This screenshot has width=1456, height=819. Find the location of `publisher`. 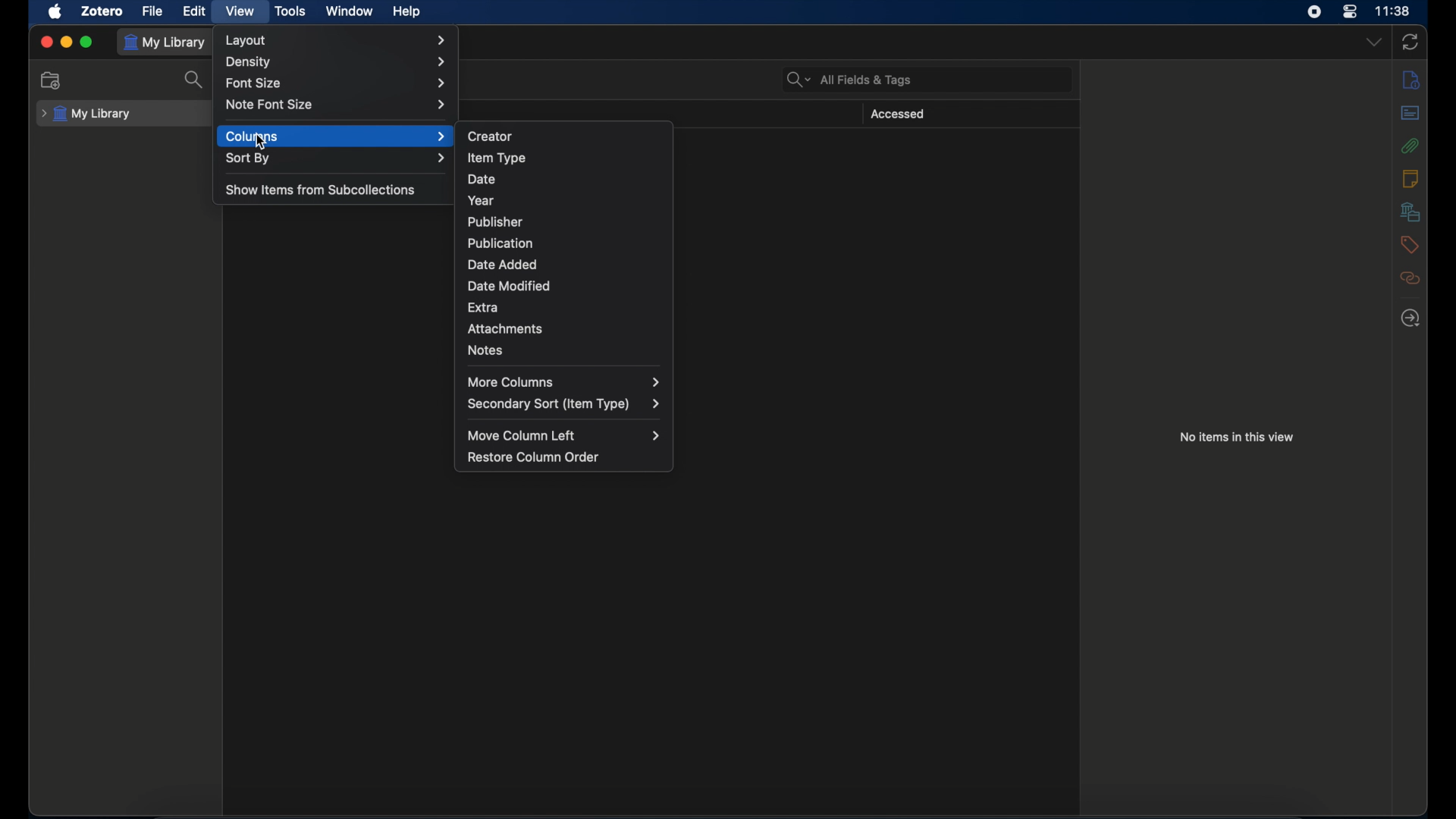

publisher is located at coordinates (493, 222).